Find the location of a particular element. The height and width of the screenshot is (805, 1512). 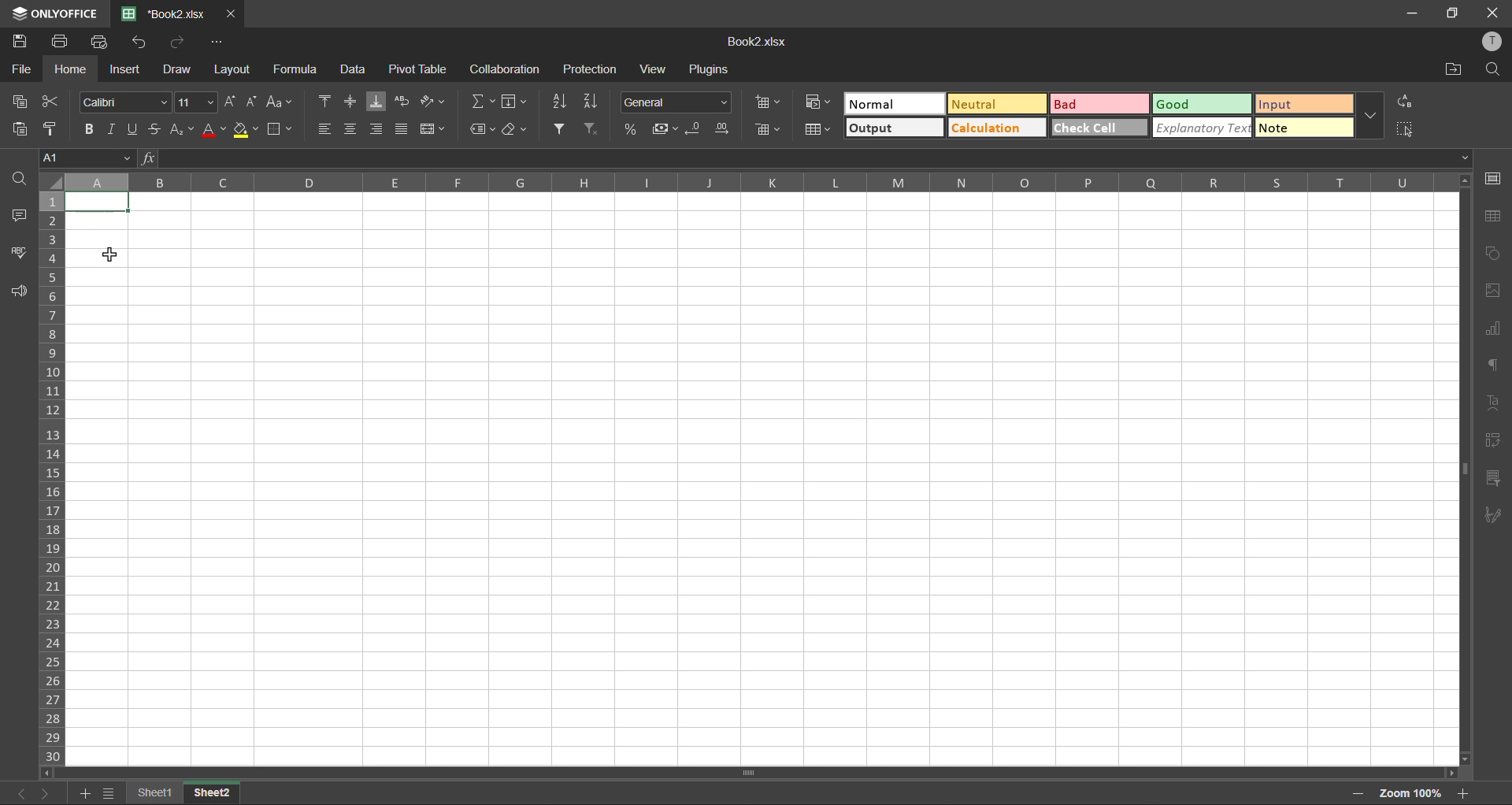

sub/superscript is located at coordinates (180, 127).